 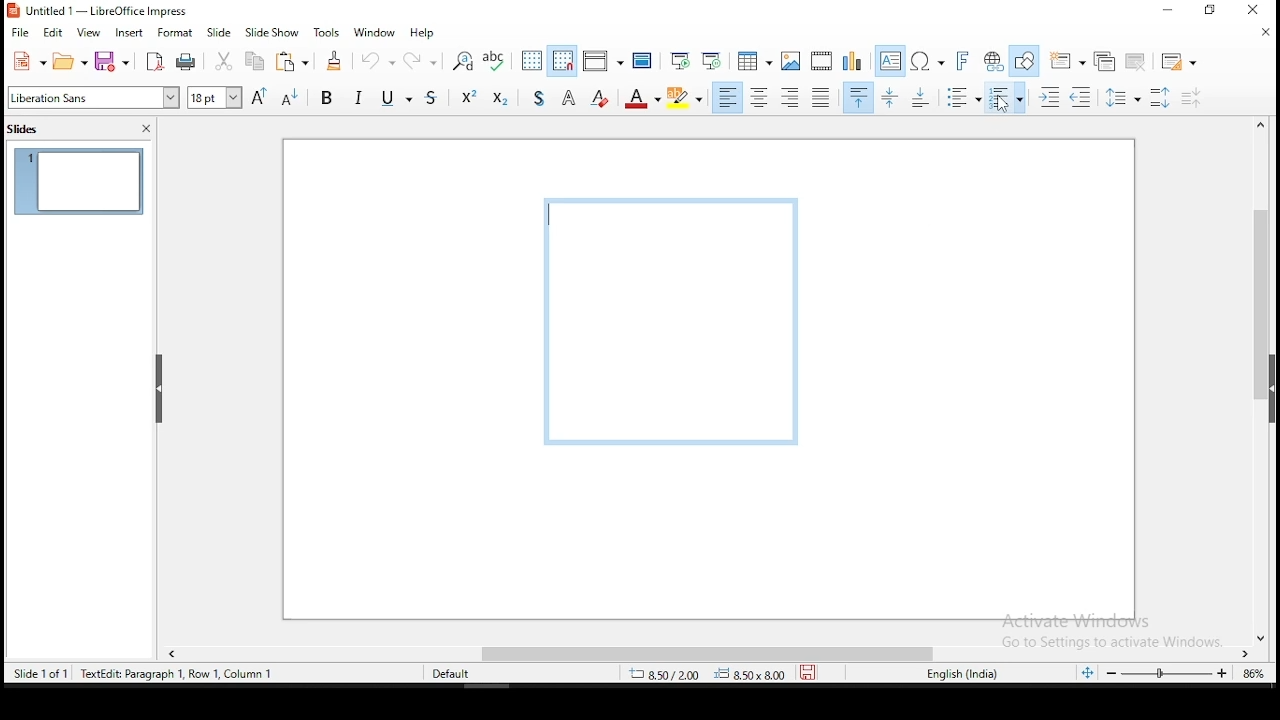 I want to click on insert hyperlink, so click(x=992, y=60).